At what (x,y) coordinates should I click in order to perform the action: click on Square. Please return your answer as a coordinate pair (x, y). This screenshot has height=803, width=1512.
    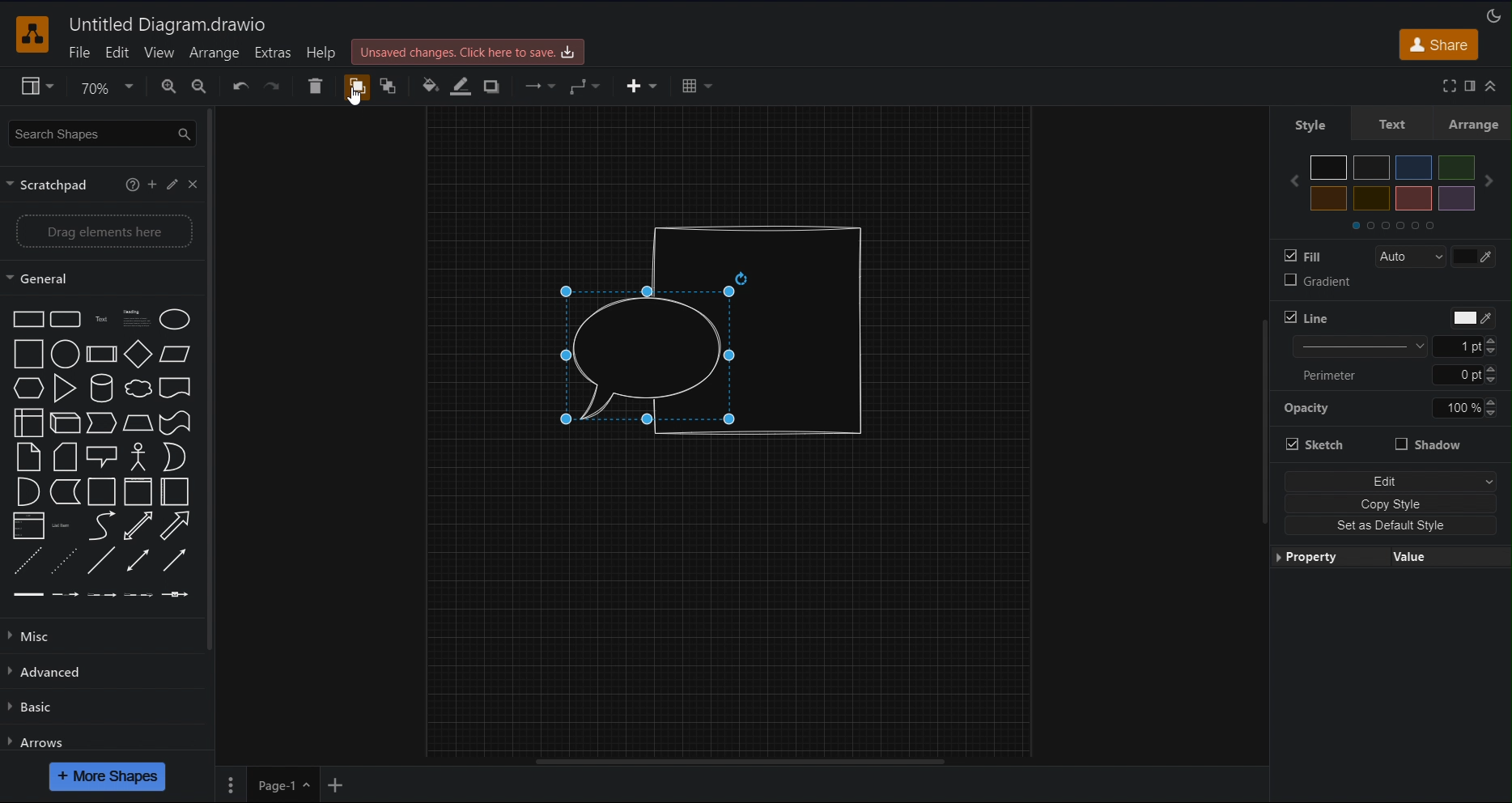
    Looking at the image, I should click on (29, 355).